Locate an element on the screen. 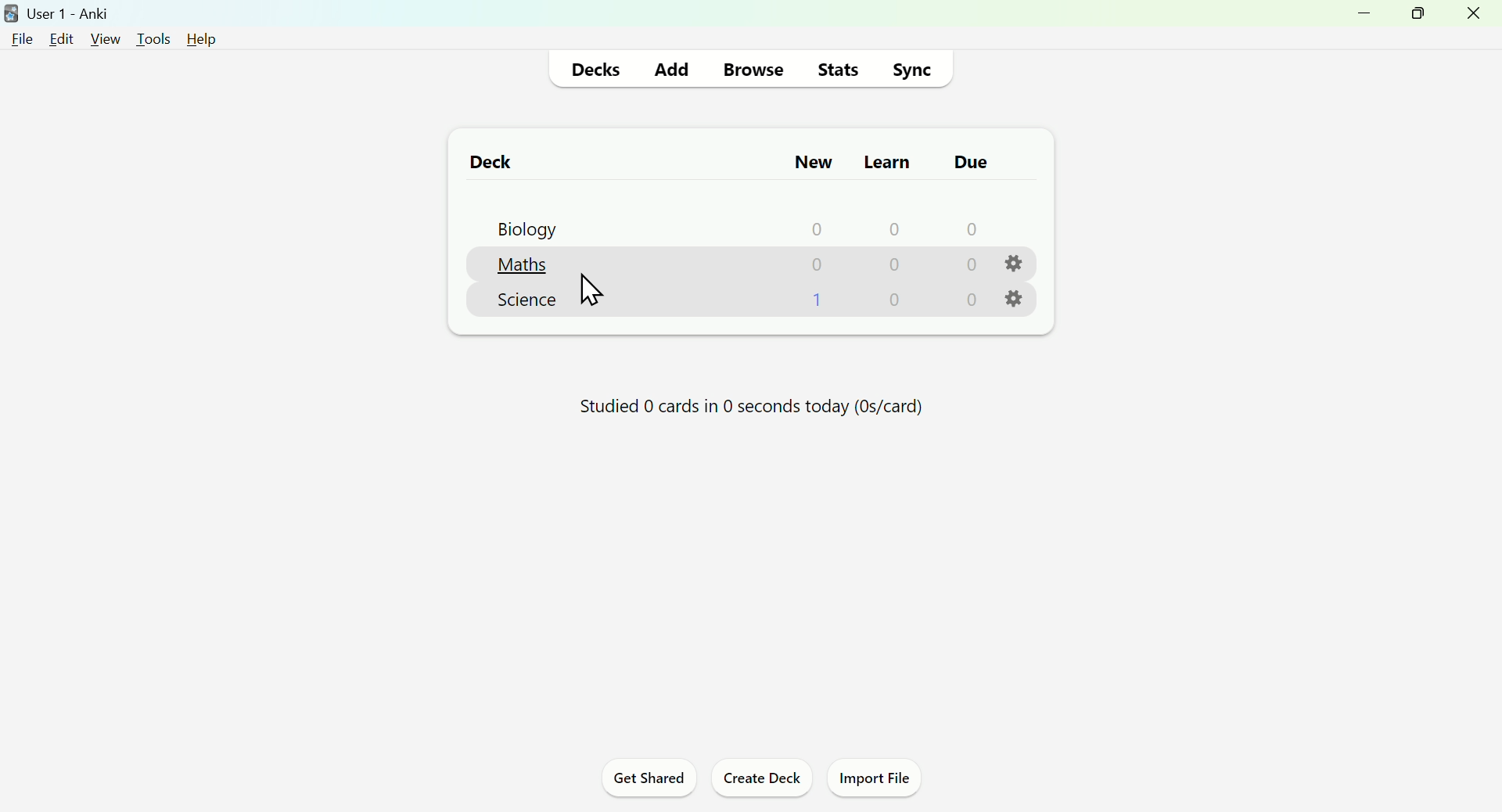 Image resolution: width=1502 pixels, height=812 pixels. 1 is located at coordinates (815, 302).